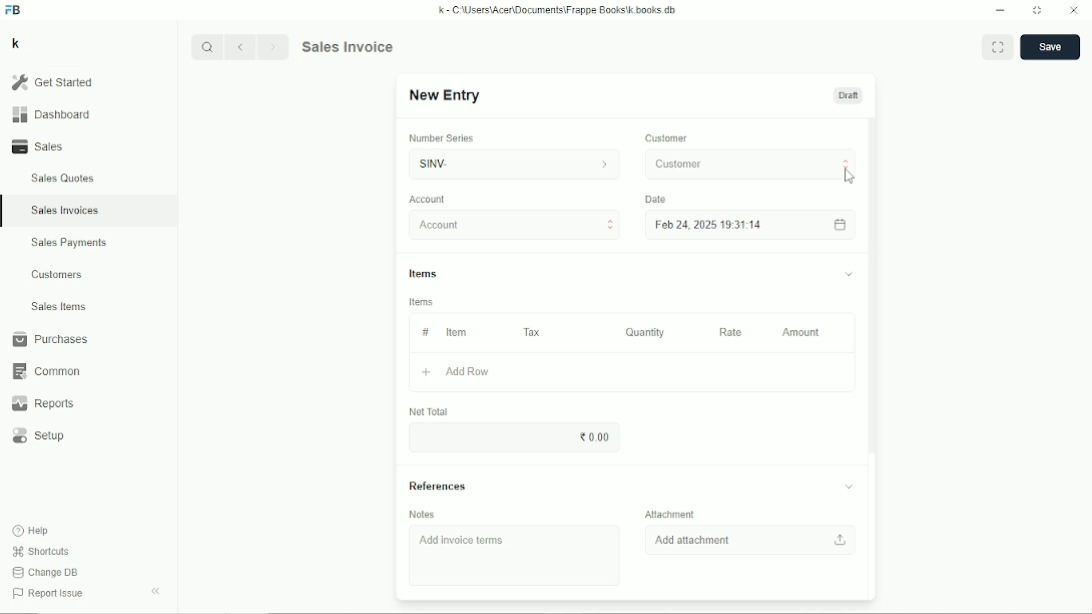 This screenshot has height=614, width=1092. I want to click on Item, so click(456, 332).